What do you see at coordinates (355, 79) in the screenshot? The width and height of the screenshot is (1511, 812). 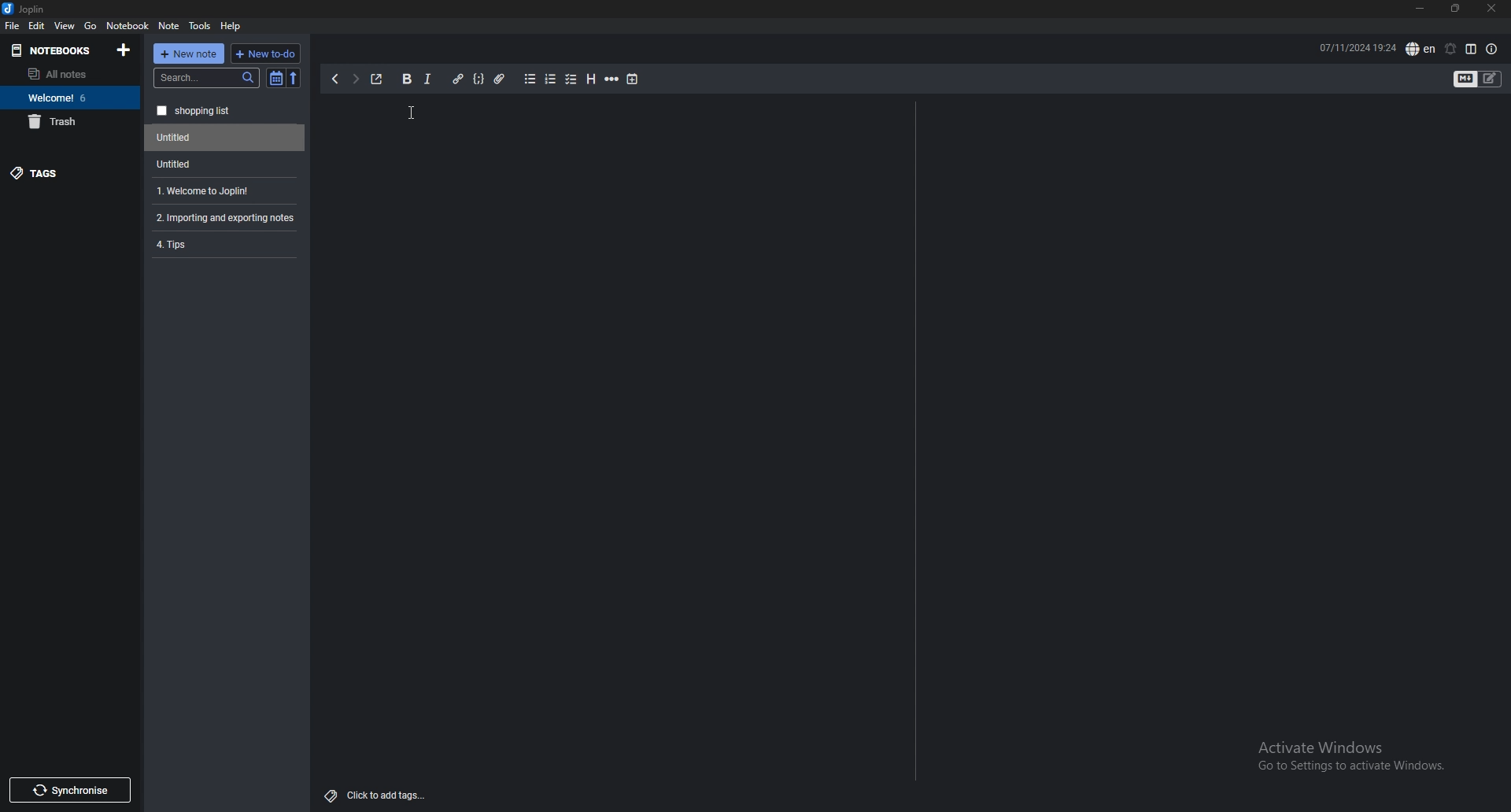 I see `next` at bounding box center [355, 79].